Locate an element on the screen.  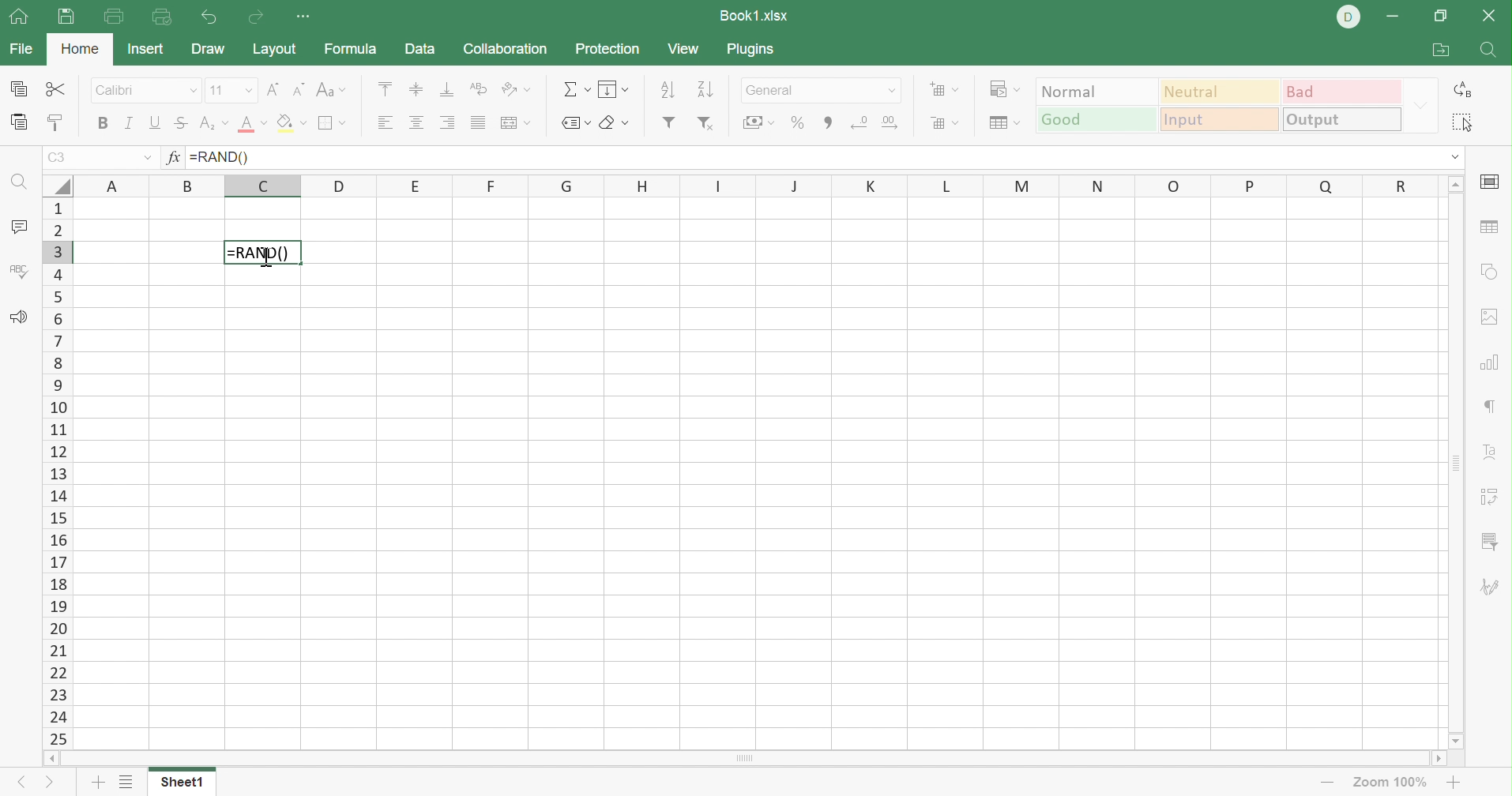
Font is located at coordinates (148, 91).